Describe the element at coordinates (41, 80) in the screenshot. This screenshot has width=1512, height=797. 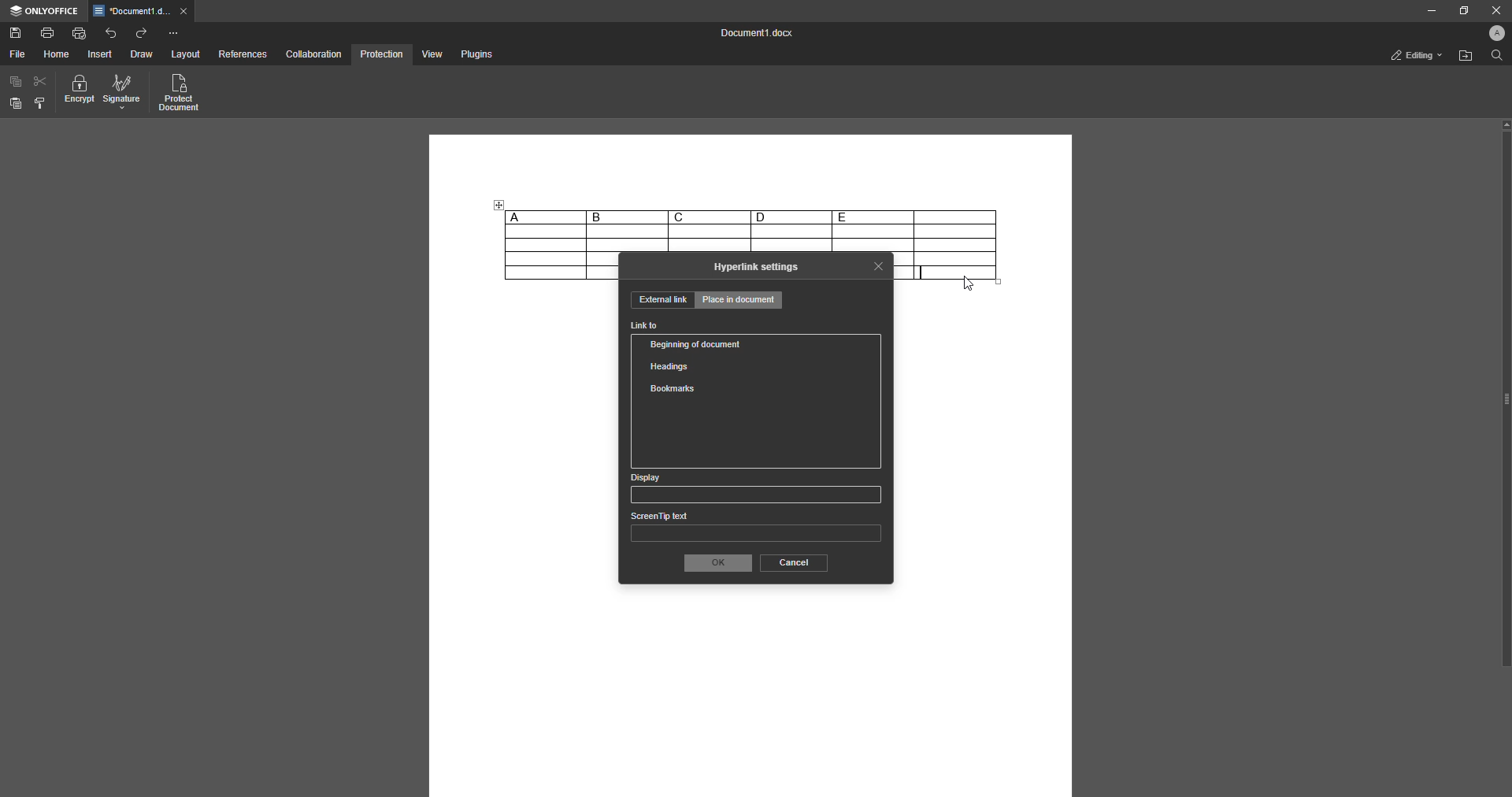
I see `Cut` at that location.